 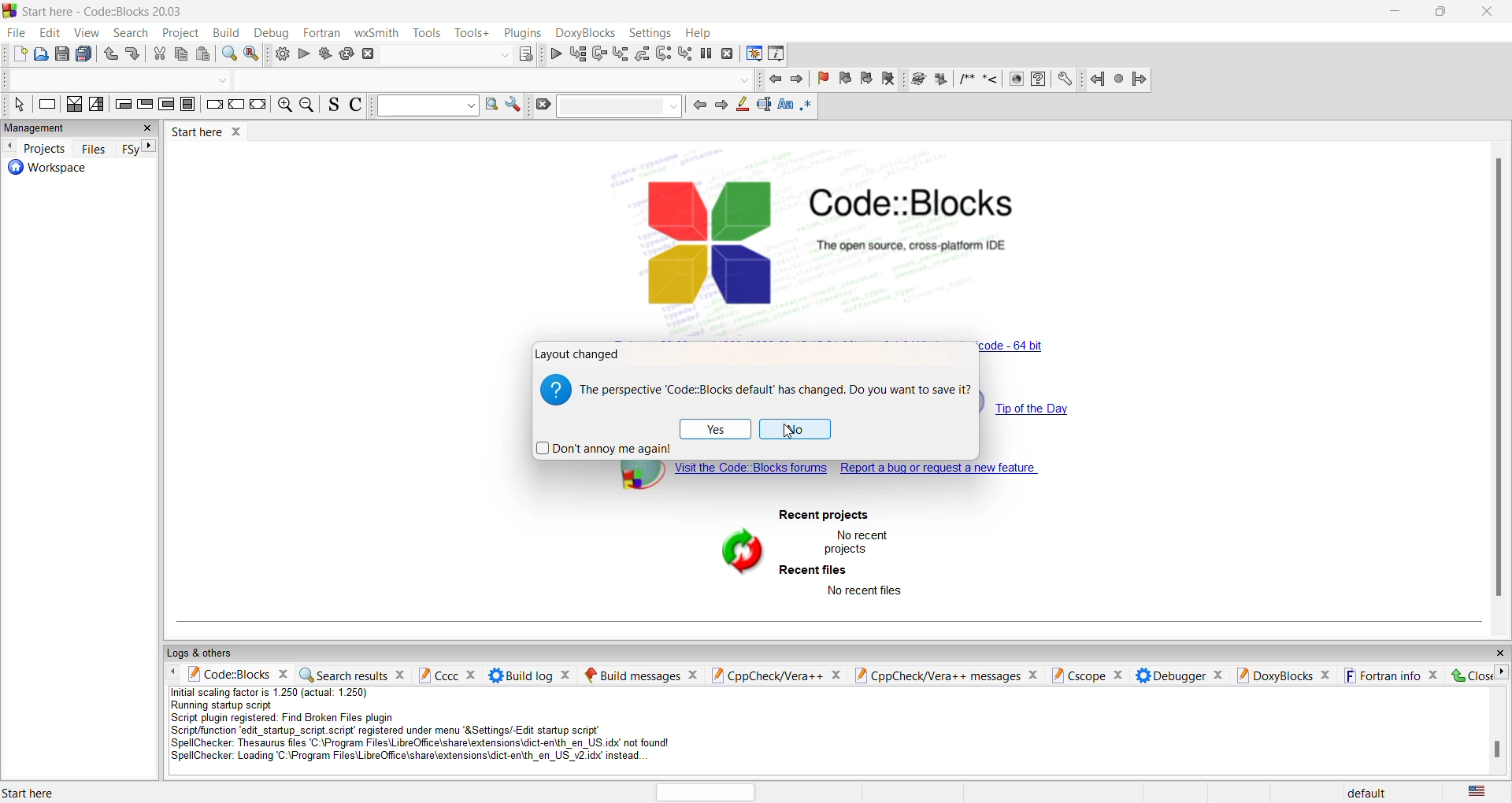 What do you see at coordinates (271, 33) in the screenshot?
I see `debug` at bounding box center [271, 33].